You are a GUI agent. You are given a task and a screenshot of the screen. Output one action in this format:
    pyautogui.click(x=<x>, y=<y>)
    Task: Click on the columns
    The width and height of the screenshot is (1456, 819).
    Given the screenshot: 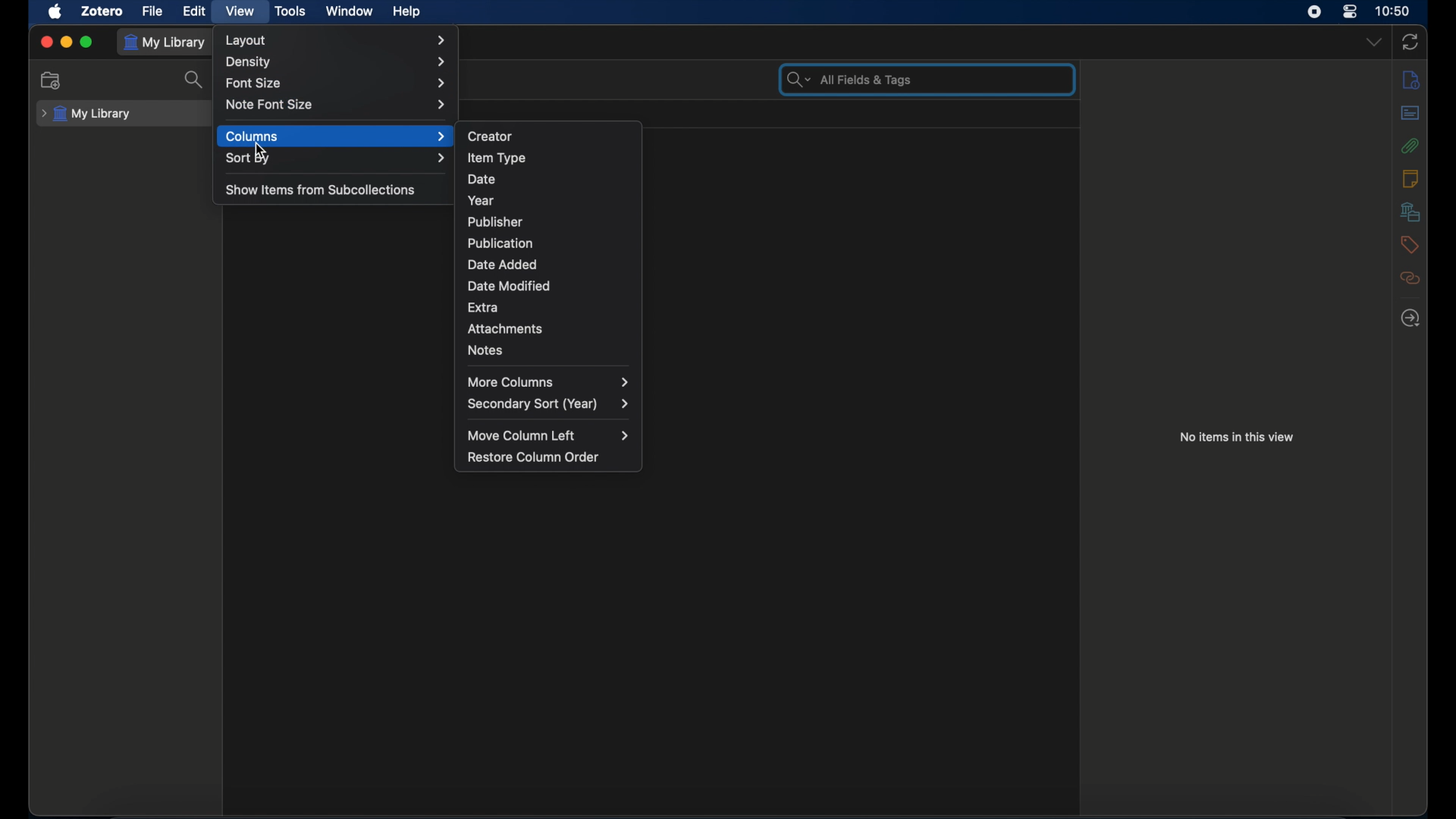 What is the action you would take?
    pyautogui.click(x=336, y=137)
    